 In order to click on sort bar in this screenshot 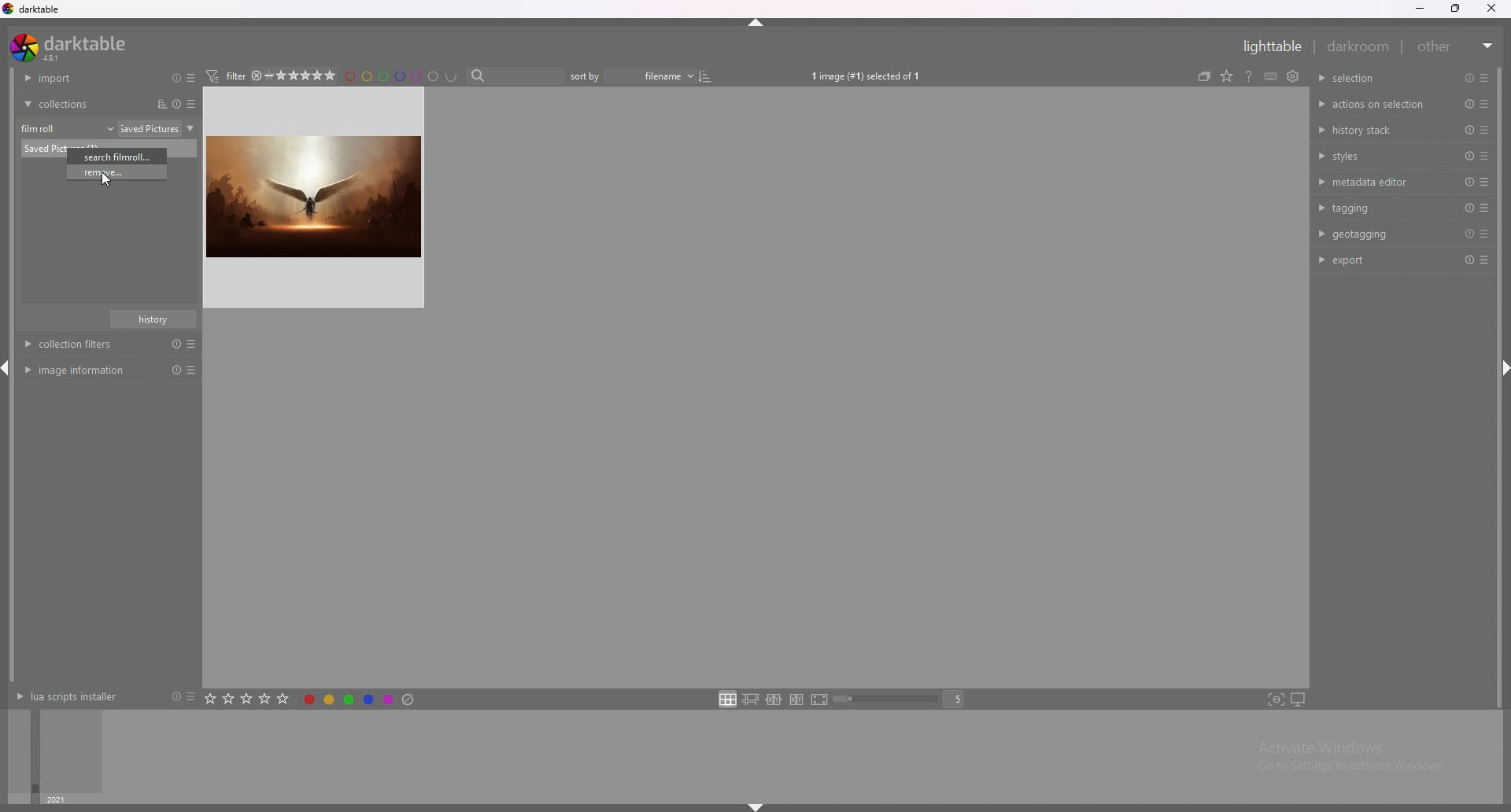, I will do `click(590, 76)`.